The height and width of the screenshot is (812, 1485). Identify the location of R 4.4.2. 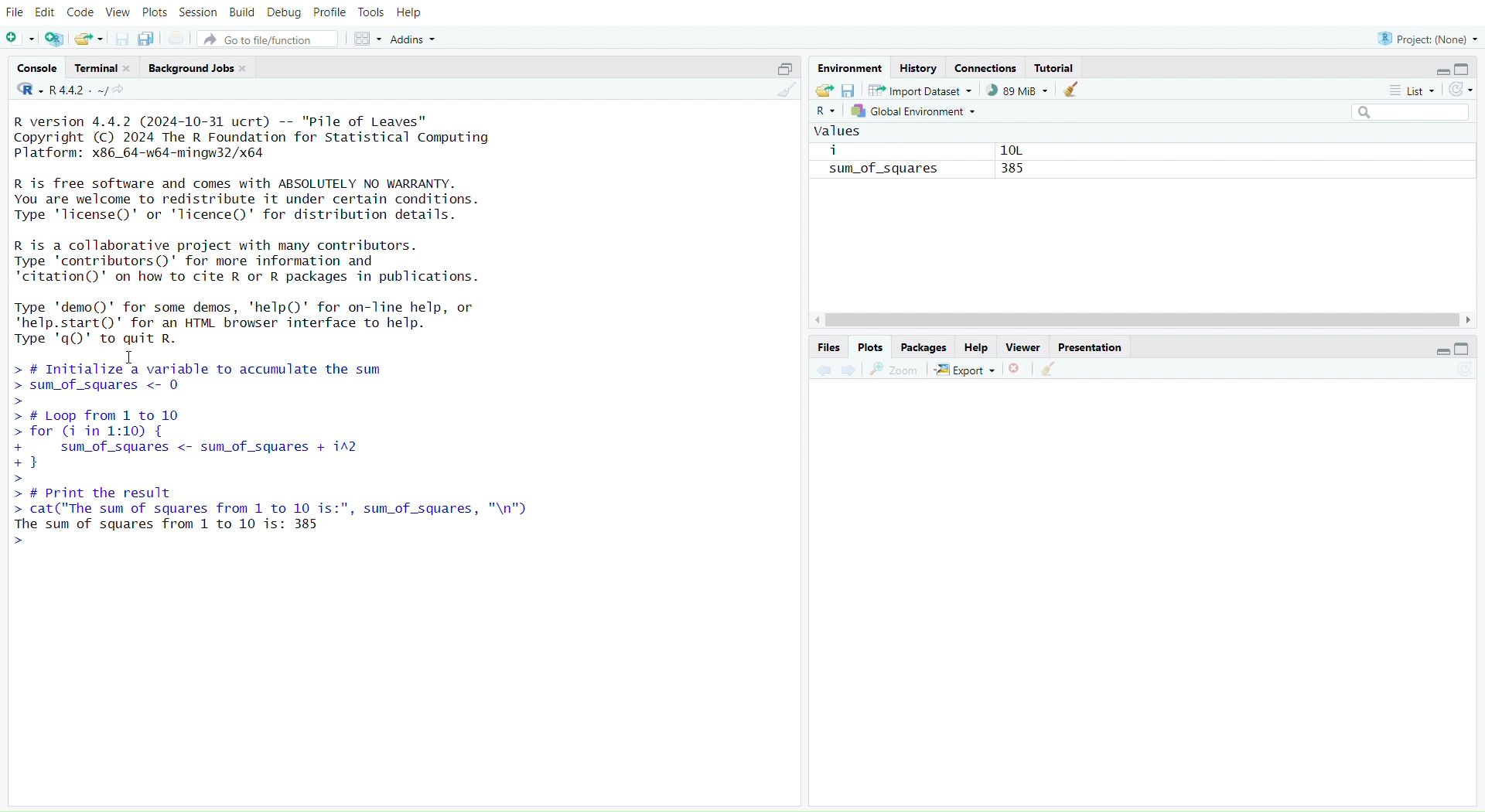
(59, 90).